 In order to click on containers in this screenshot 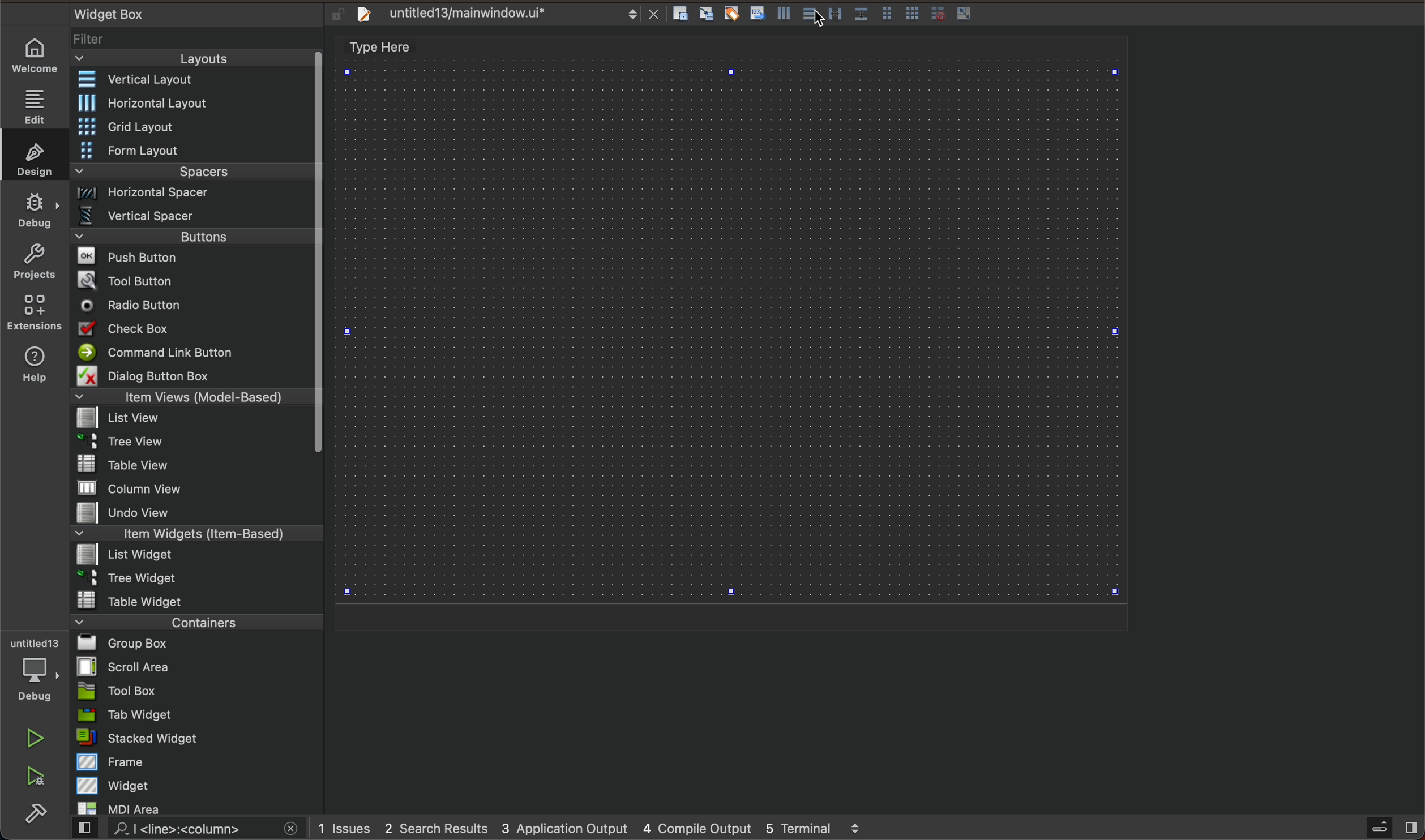, I will do `click(196, 621)`.